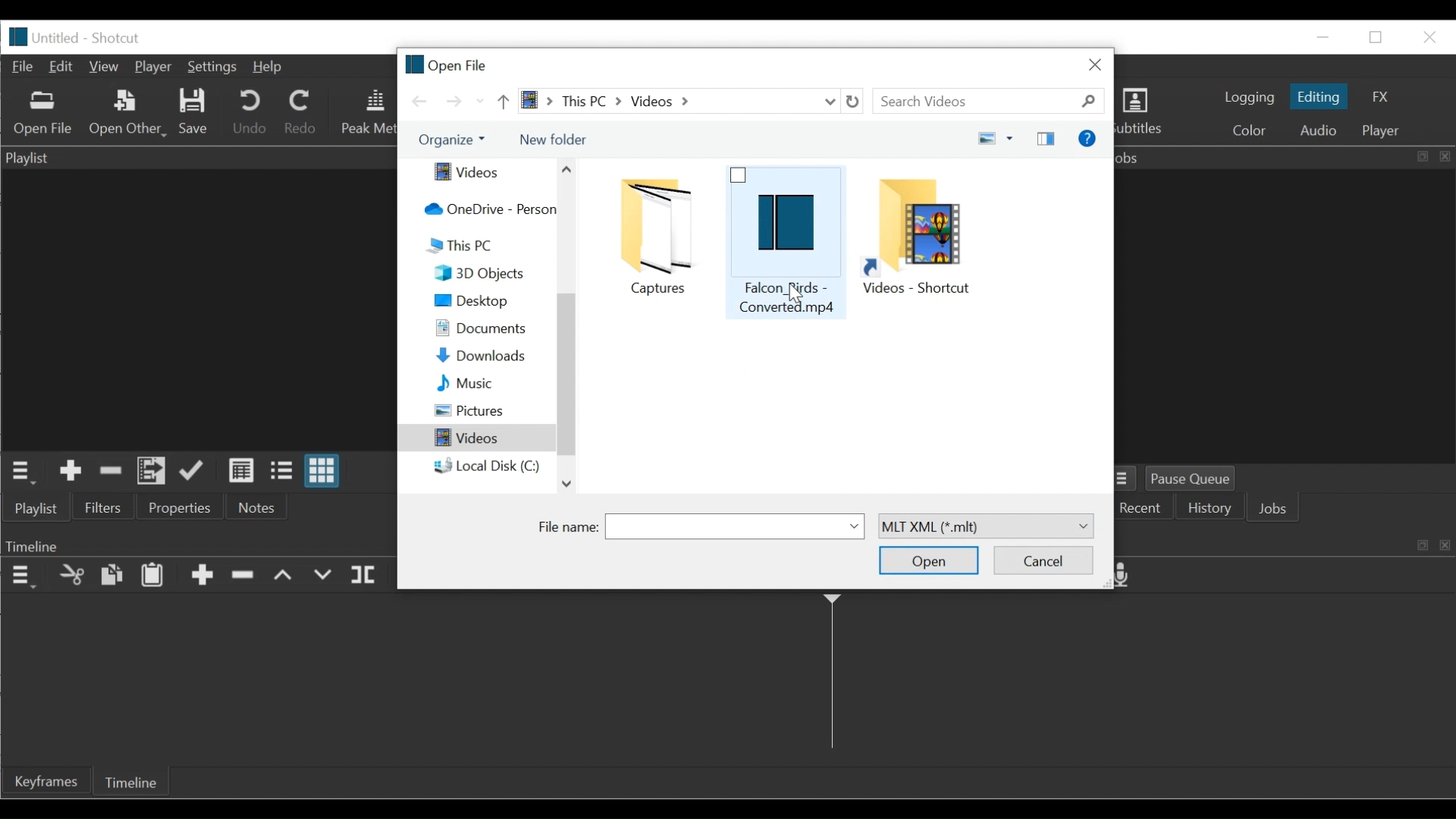  Describe the element at coordinates (1426, 36) in the screenshot. I see `Close` at that location.